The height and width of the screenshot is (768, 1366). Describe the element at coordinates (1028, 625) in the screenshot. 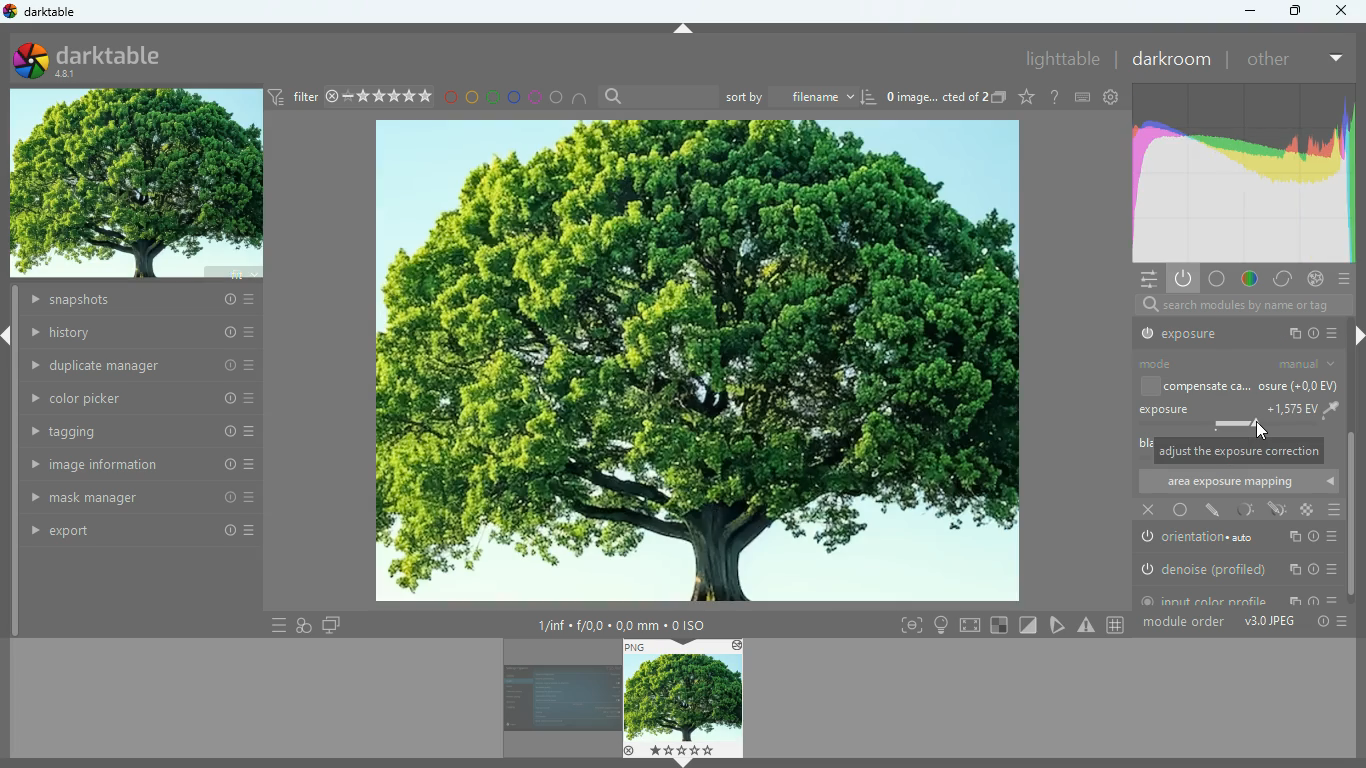

I see `` at that location.